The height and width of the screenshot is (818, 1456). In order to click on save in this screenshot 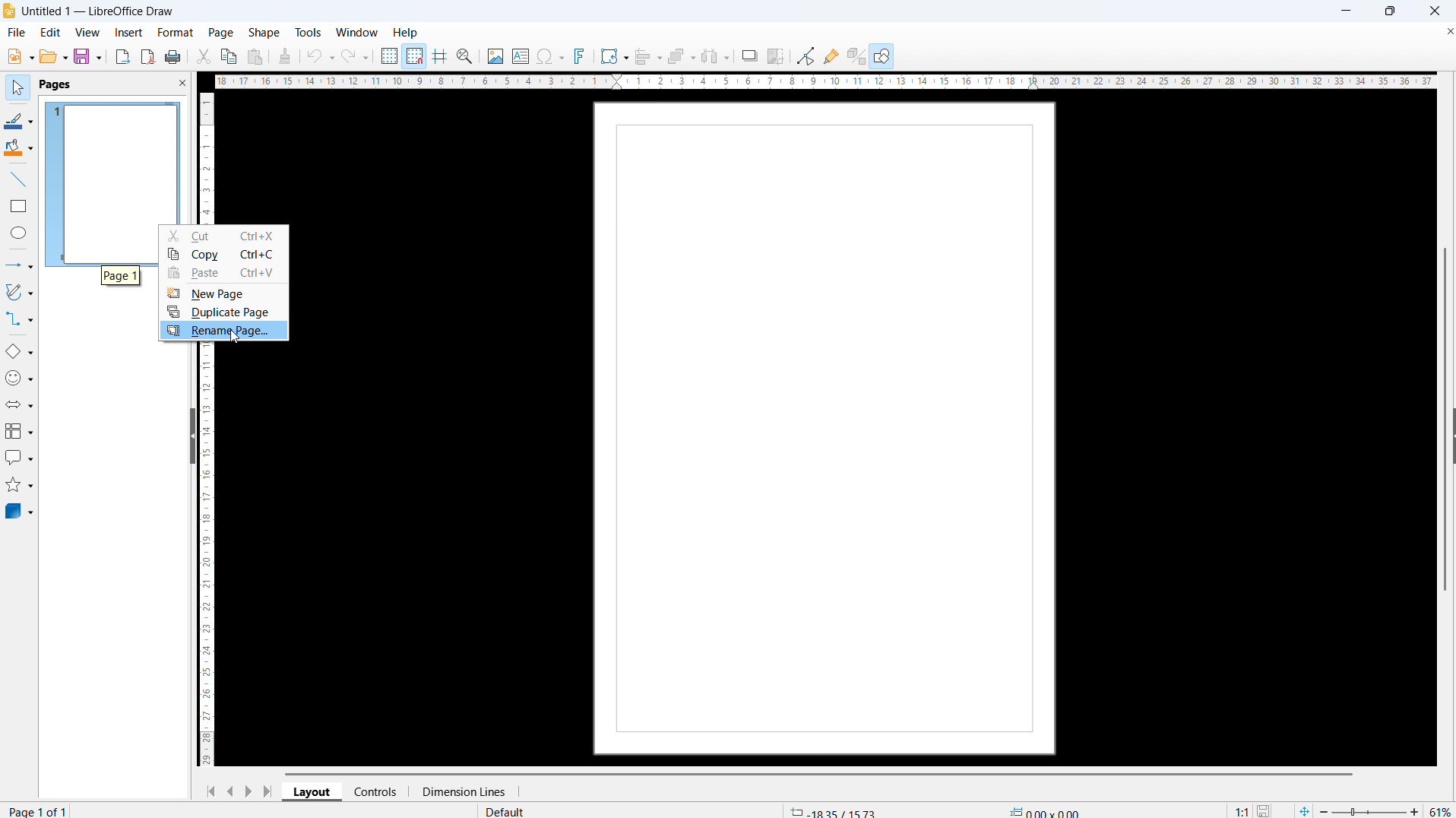, I will do `click(88, 57)`.